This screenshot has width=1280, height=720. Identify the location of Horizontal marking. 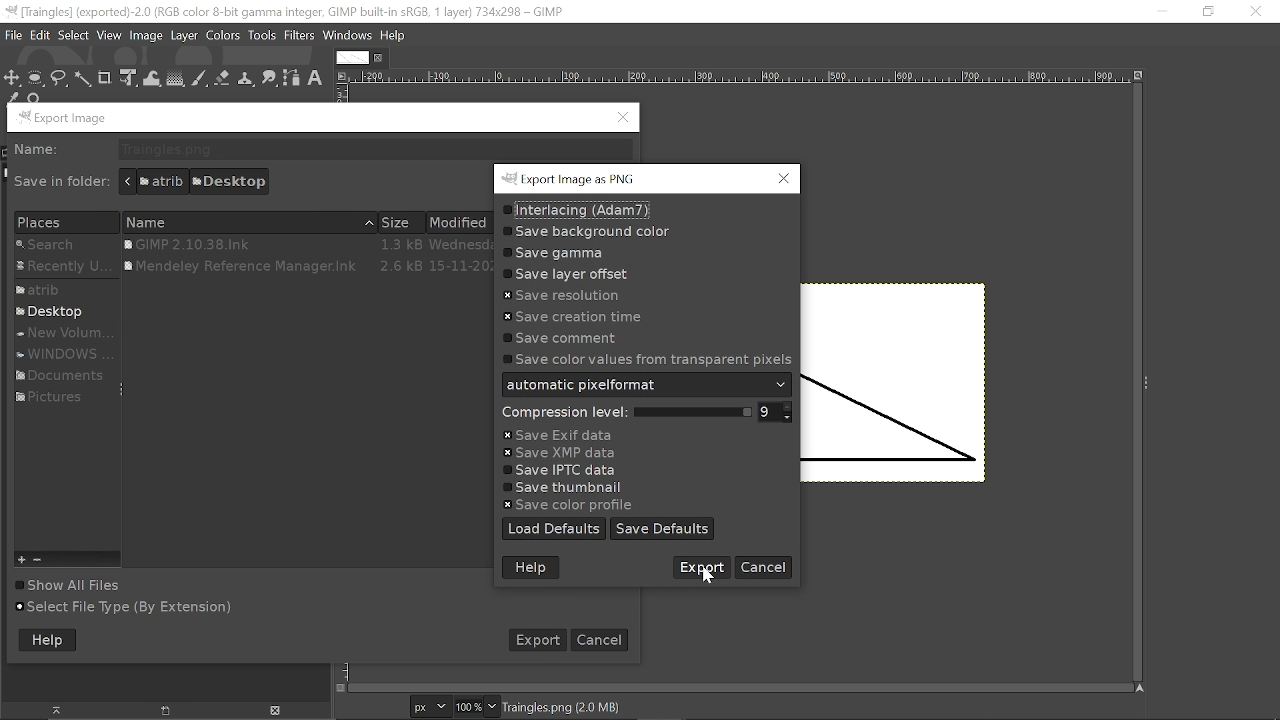
(738, 77).